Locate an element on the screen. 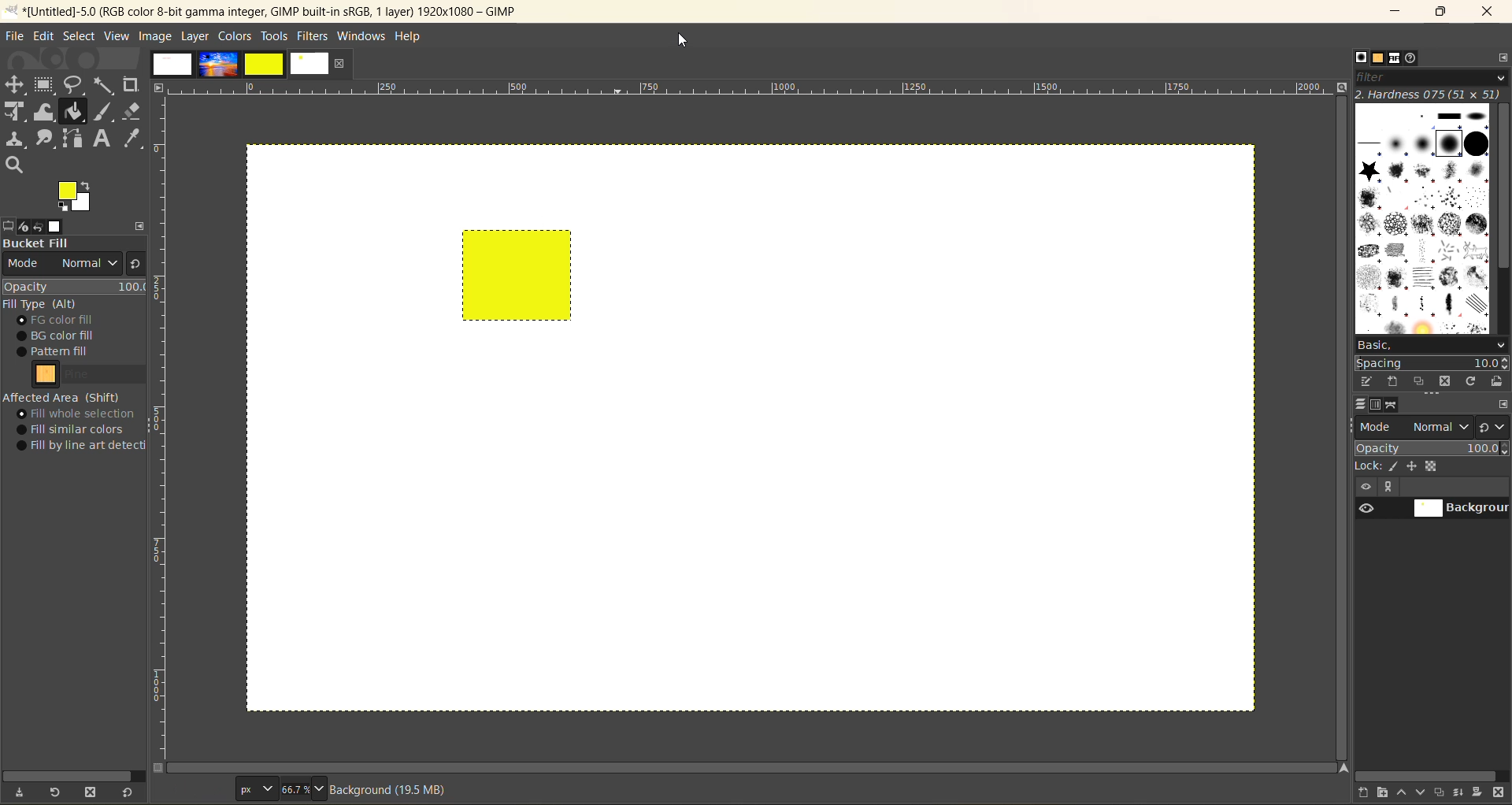 This screenshot has height=805, width=1512. undo history is located at coordinates (35, 226).